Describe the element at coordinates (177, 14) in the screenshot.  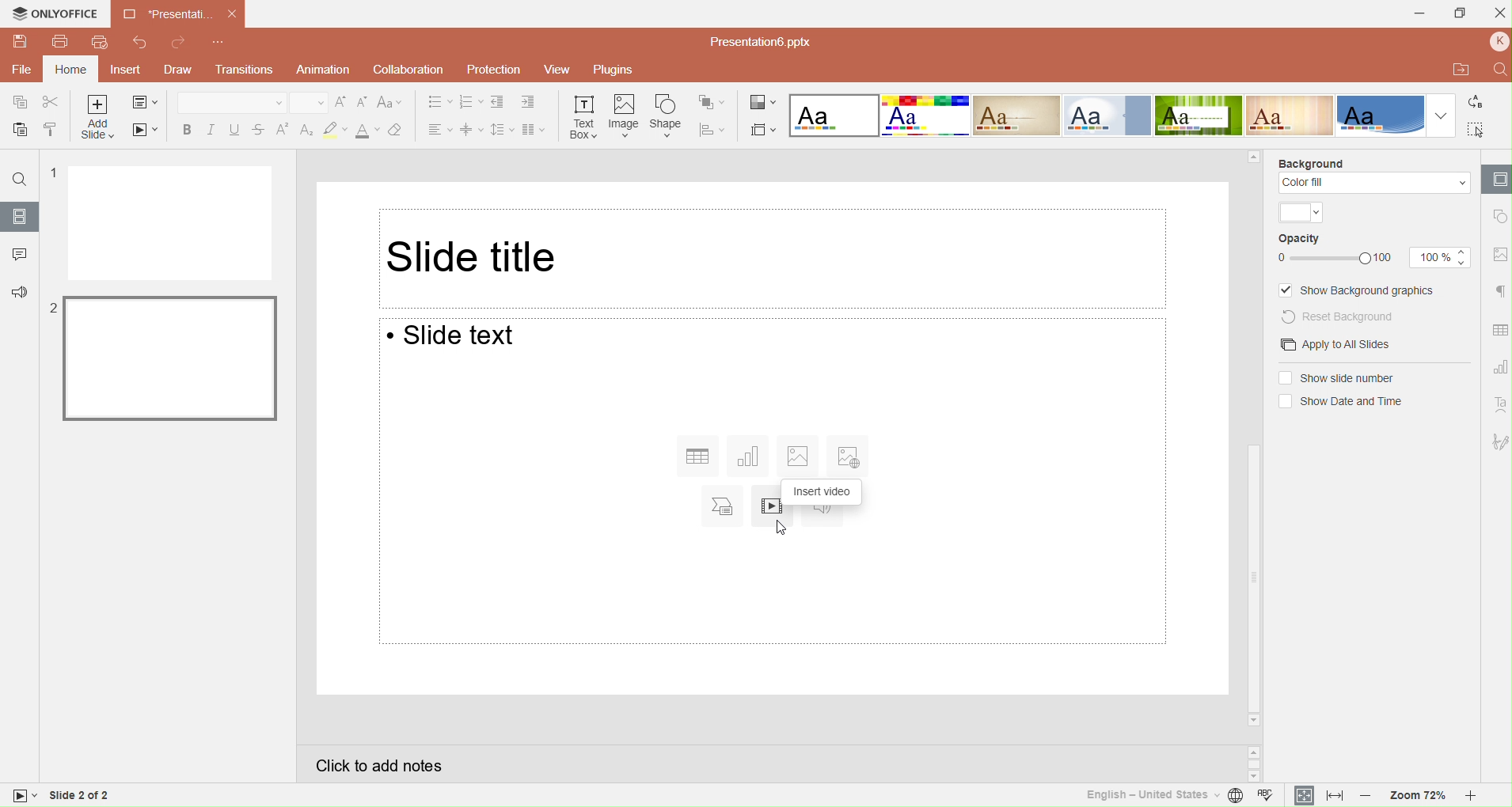
I see `Presentation Tab` at that location.